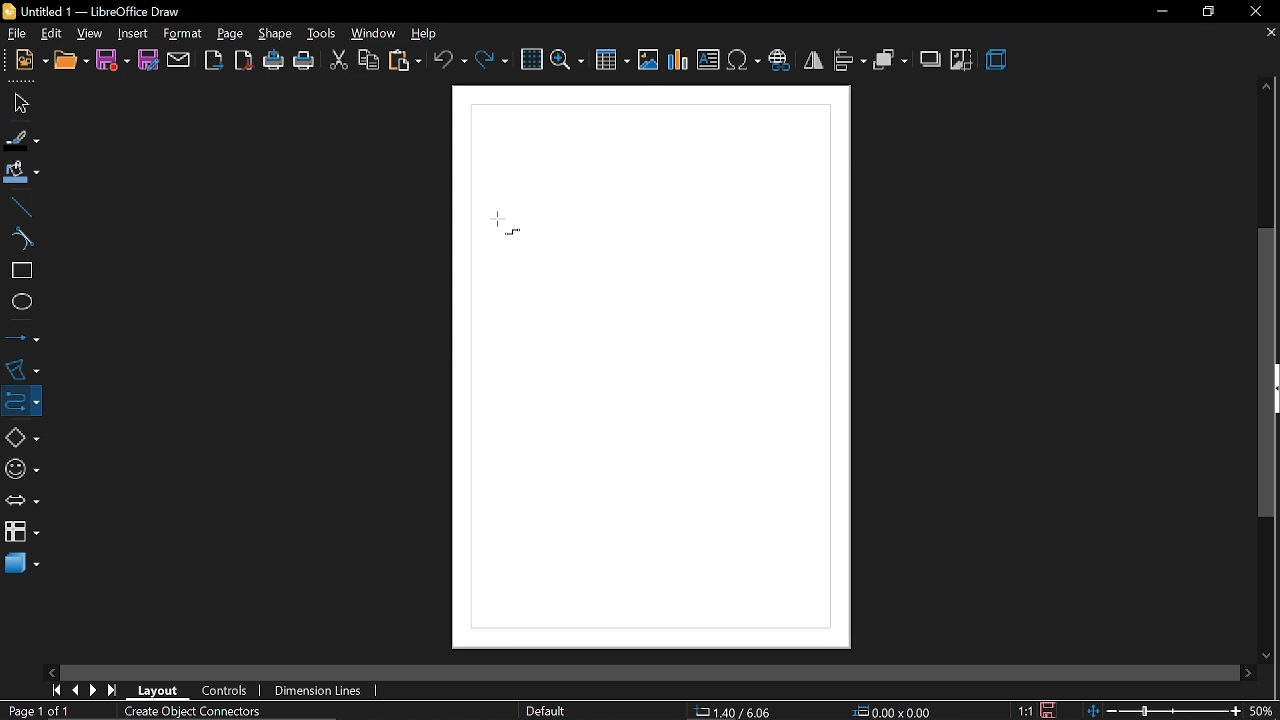 The image size is (1280, 720). Describe the element at coordinates (404, 61) in the screenshot. I see `paste` at that location.